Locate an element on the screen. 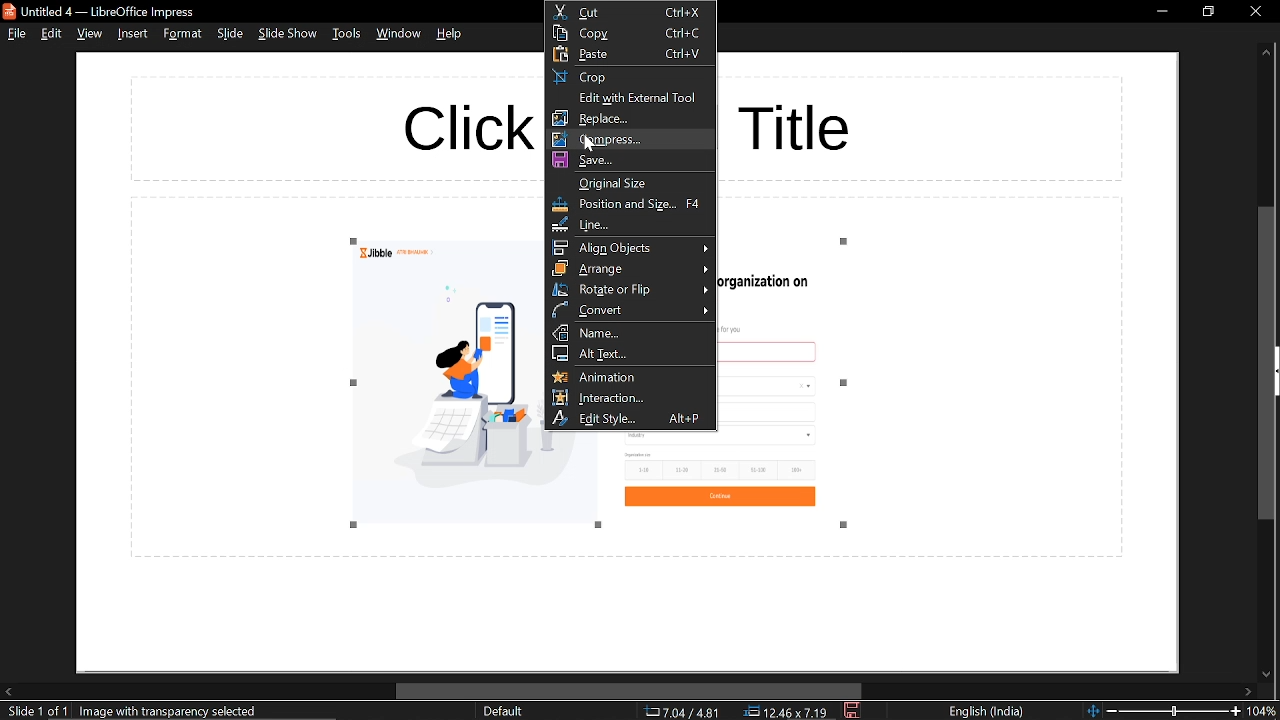 This screenshot has width=1280, height=720. location is located at coordinates (789, 712).